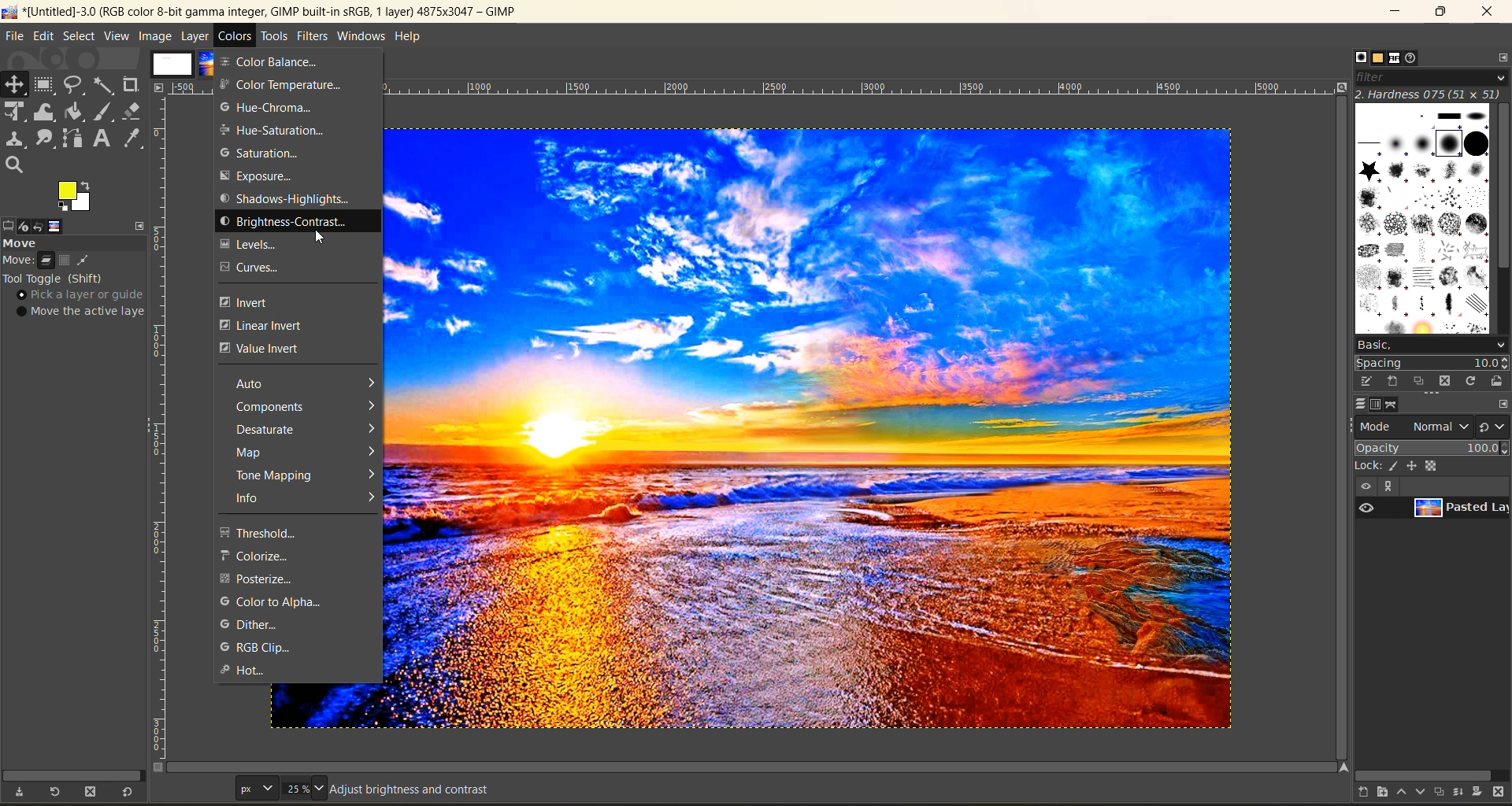  I want to click on horizontal scroll bar, so click(69, 775).